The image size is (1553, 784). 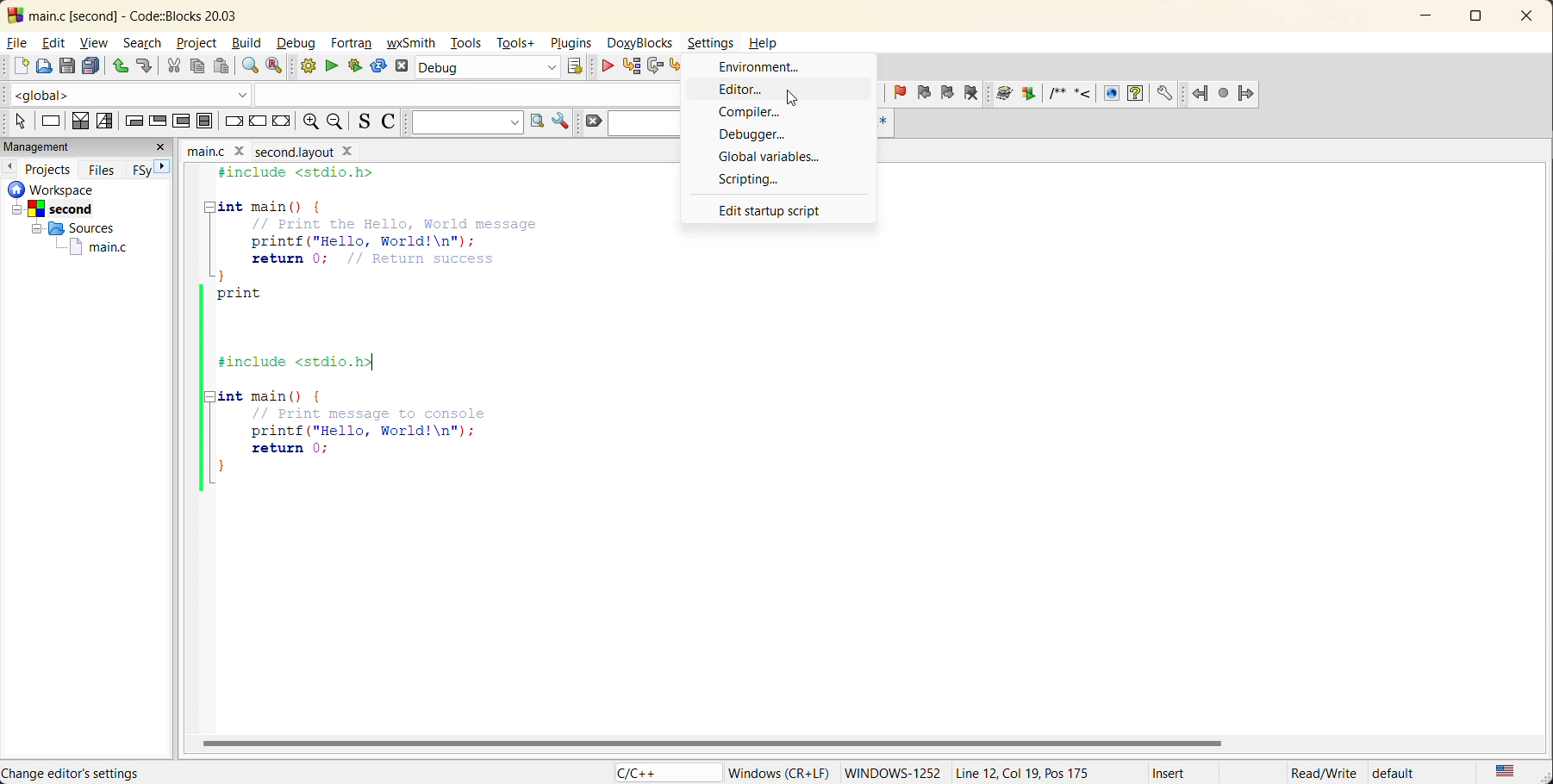 I want to click on copy, so click(x=196, y=64).